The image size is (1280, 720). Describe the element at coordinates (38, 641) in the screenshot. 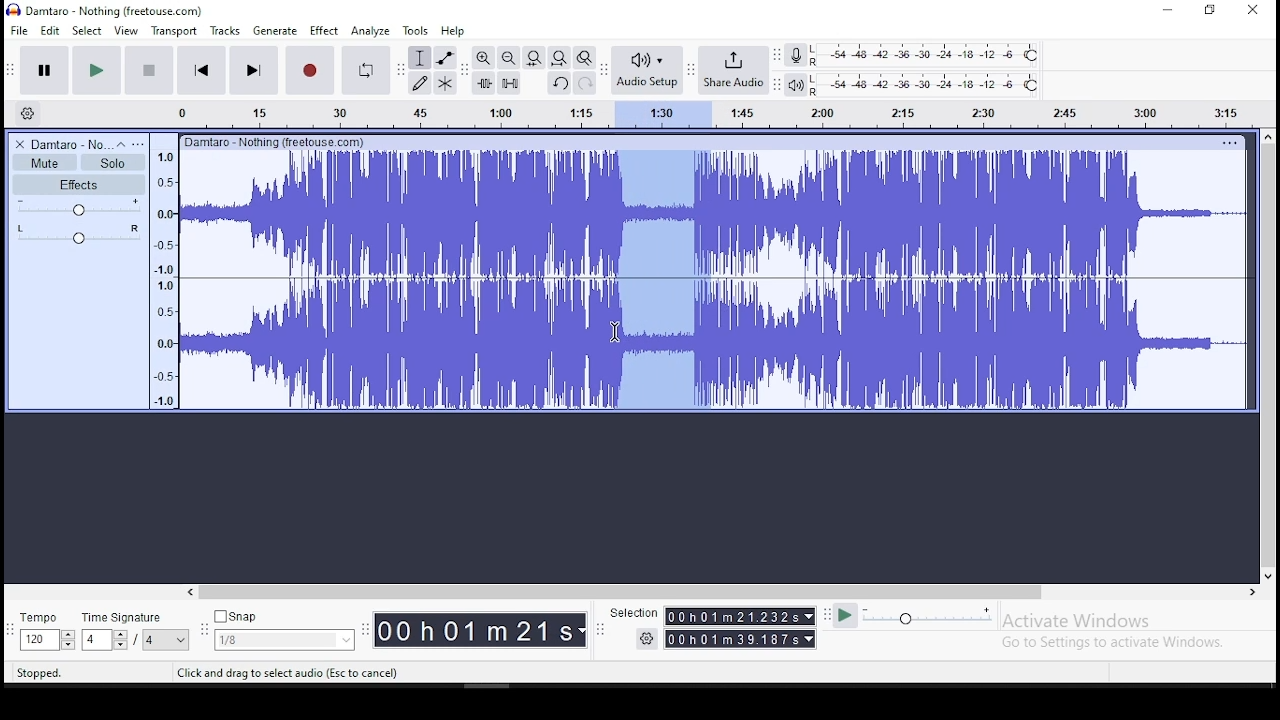

I see `120` at that location.